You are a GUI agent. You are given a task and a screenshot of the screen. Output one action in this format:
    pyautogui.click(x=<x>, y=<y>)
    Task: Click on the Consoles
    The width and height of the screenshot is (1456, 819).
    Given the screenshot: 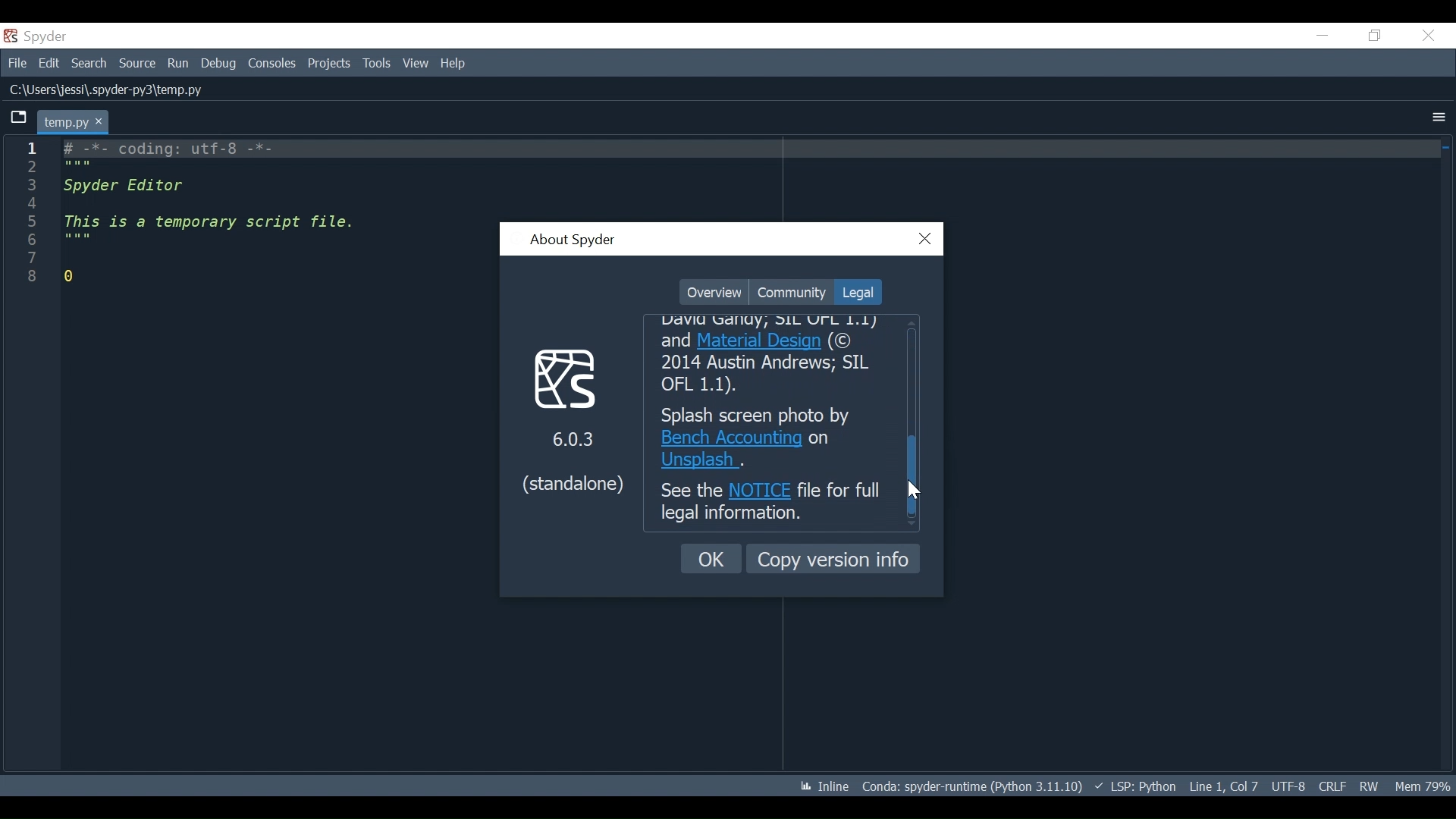 What is the action you would take?
    pyautogui.click(x=271, y=64)
    